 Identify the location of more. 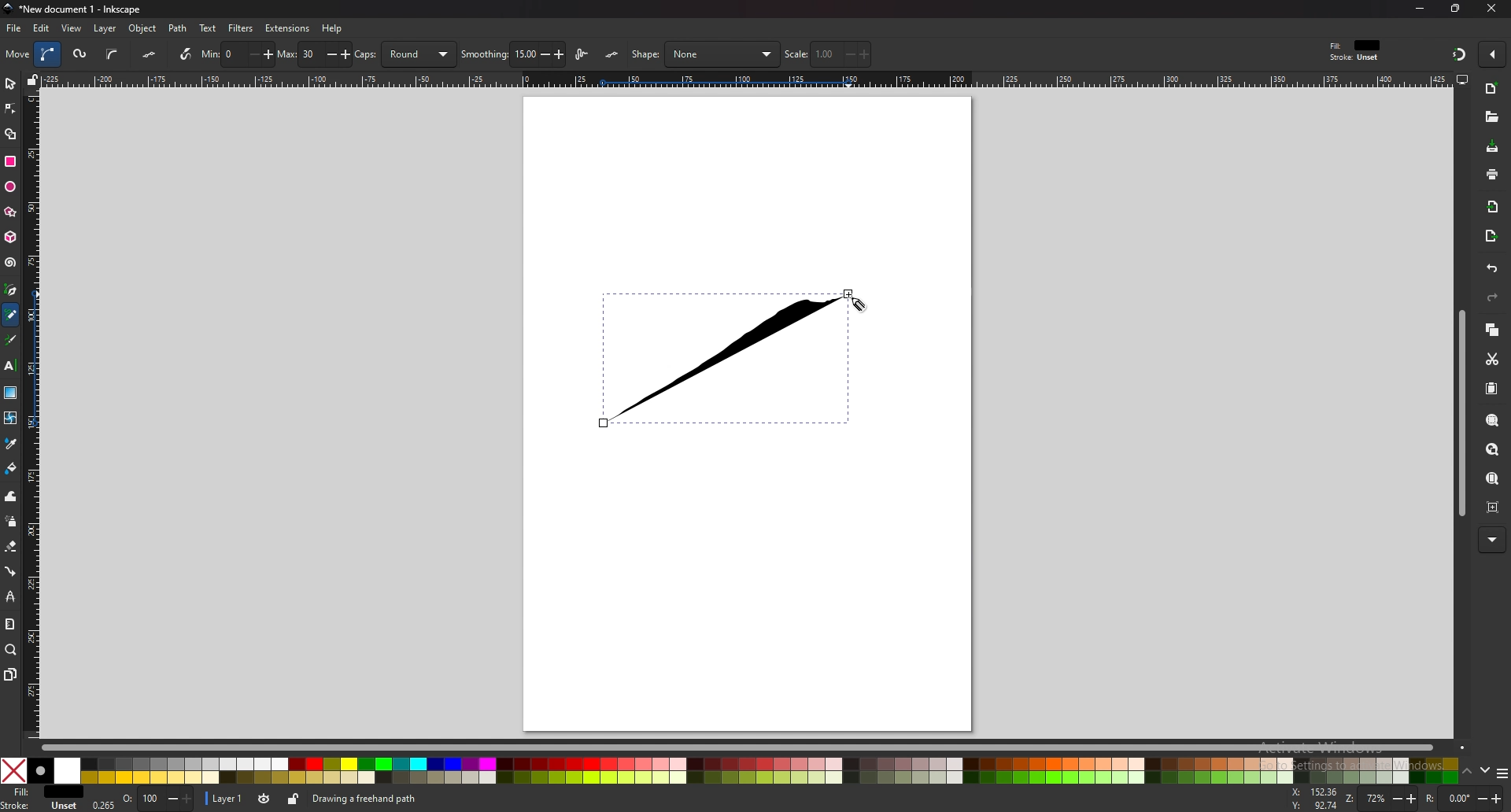
(1492, 540).